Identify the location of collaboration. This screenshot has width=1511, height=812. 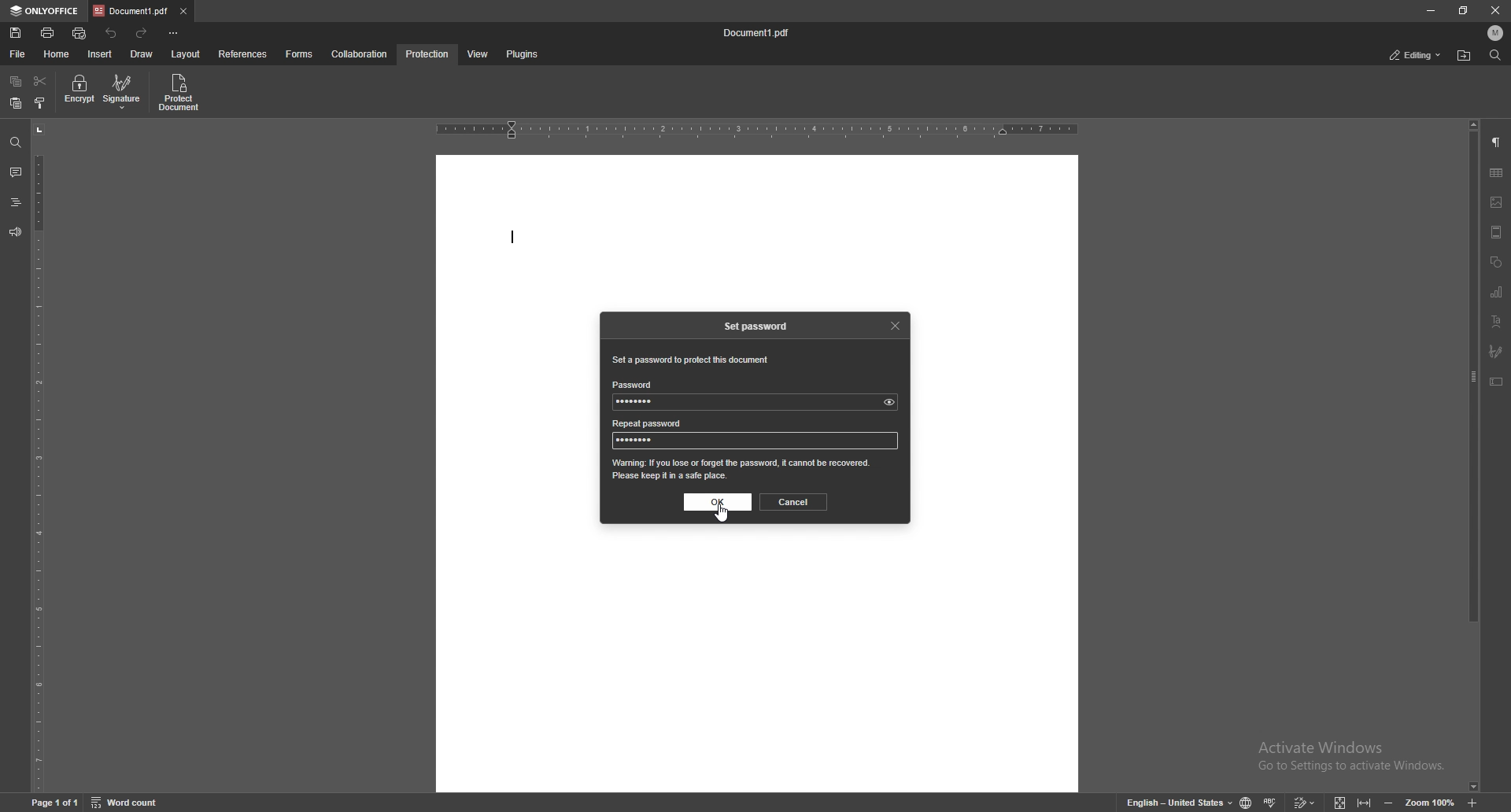
(360, 54).